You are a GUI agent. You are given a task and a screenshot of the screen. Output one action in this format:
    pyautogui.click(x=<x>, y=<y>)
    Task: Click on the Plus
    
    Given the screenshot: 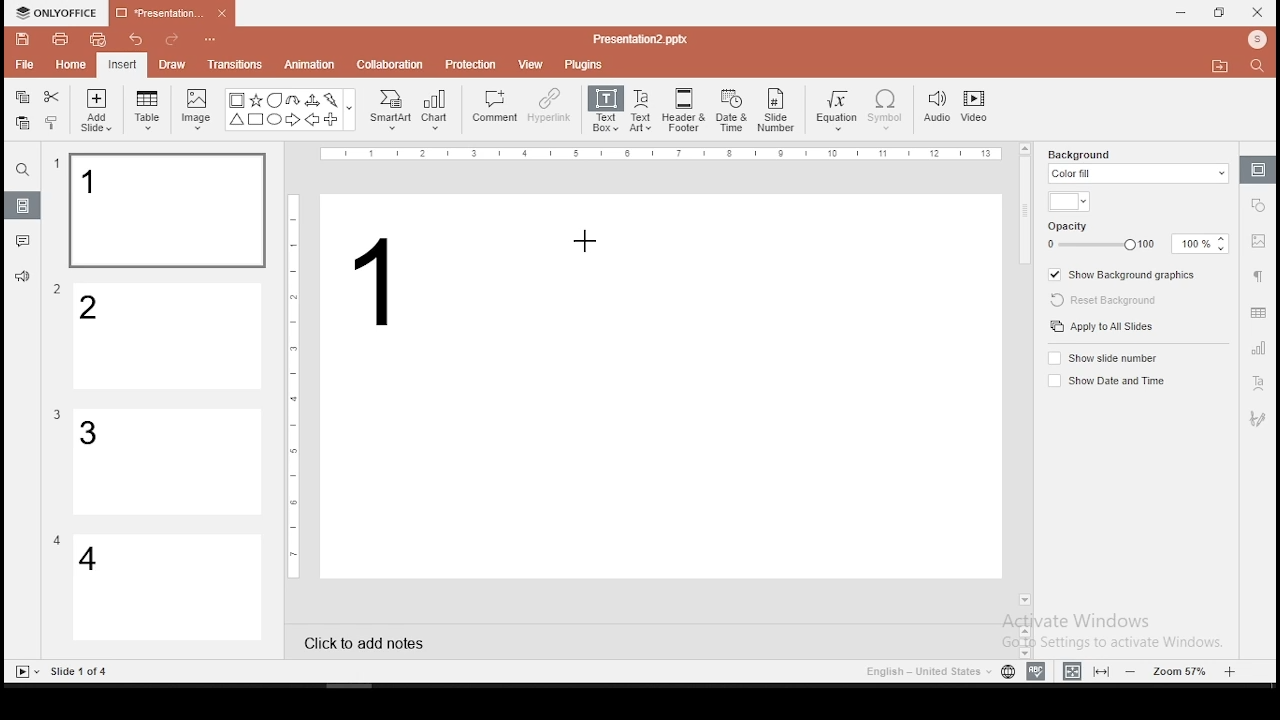 What is the action you would take?
    pyautogui.click(x=332, y=120)
    